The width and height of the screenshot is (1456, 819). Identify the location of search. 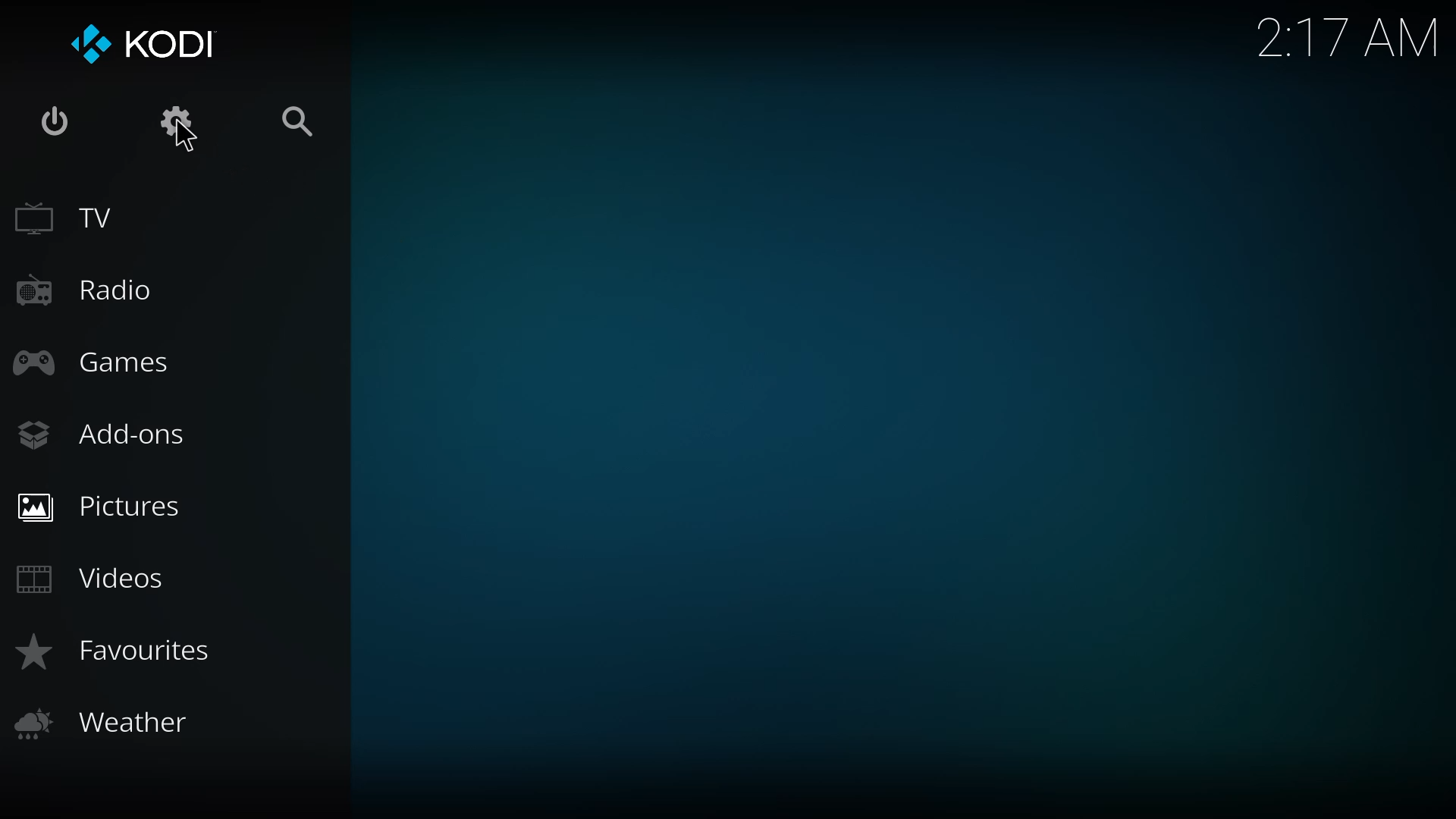
(294, 119).